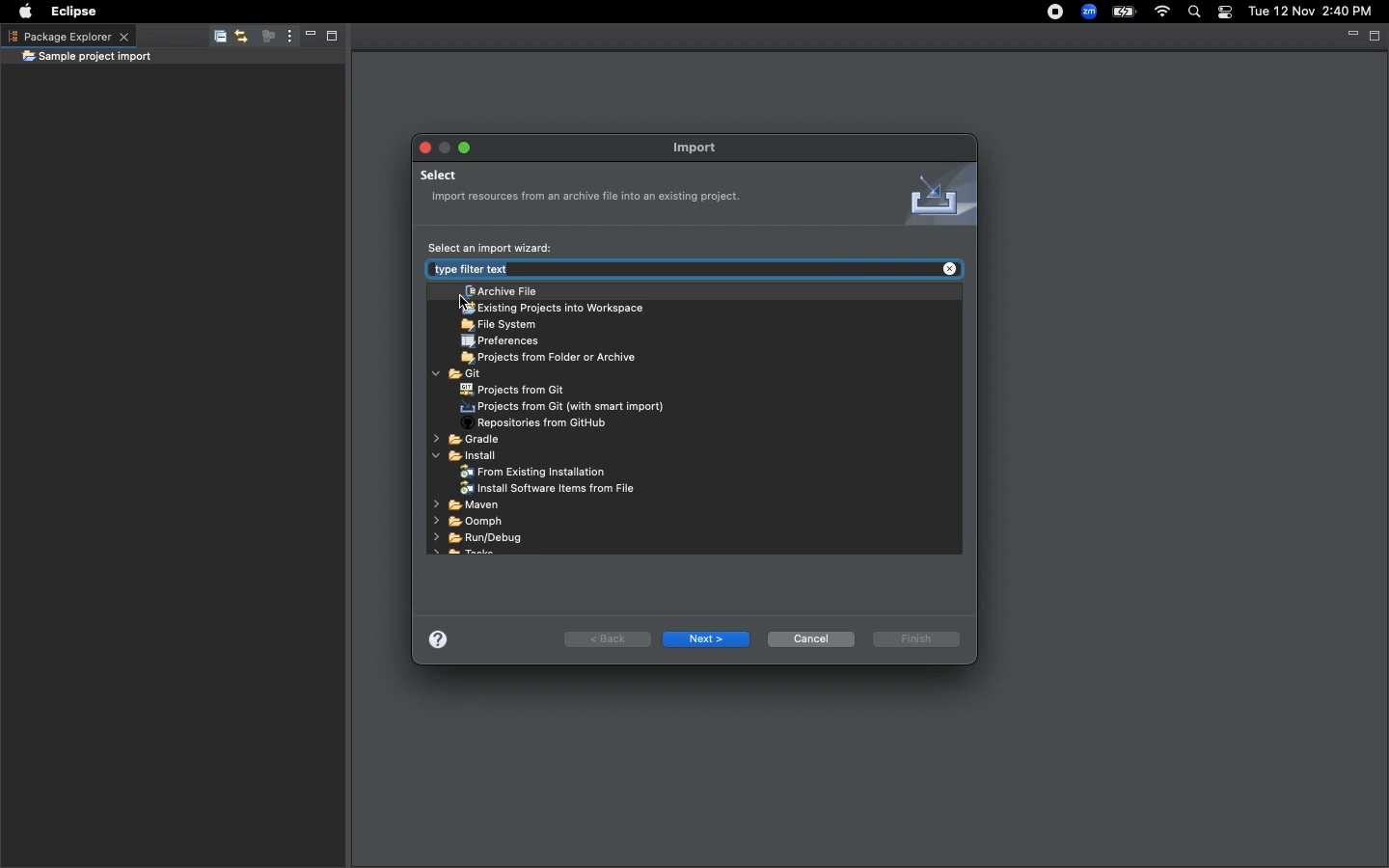 Image resolution: width=1389 pixels, height=868 pixels. What do you see at coordinates (466, 149) in the screenshot?
I see `Maximize` at bounding box center [466, 149].